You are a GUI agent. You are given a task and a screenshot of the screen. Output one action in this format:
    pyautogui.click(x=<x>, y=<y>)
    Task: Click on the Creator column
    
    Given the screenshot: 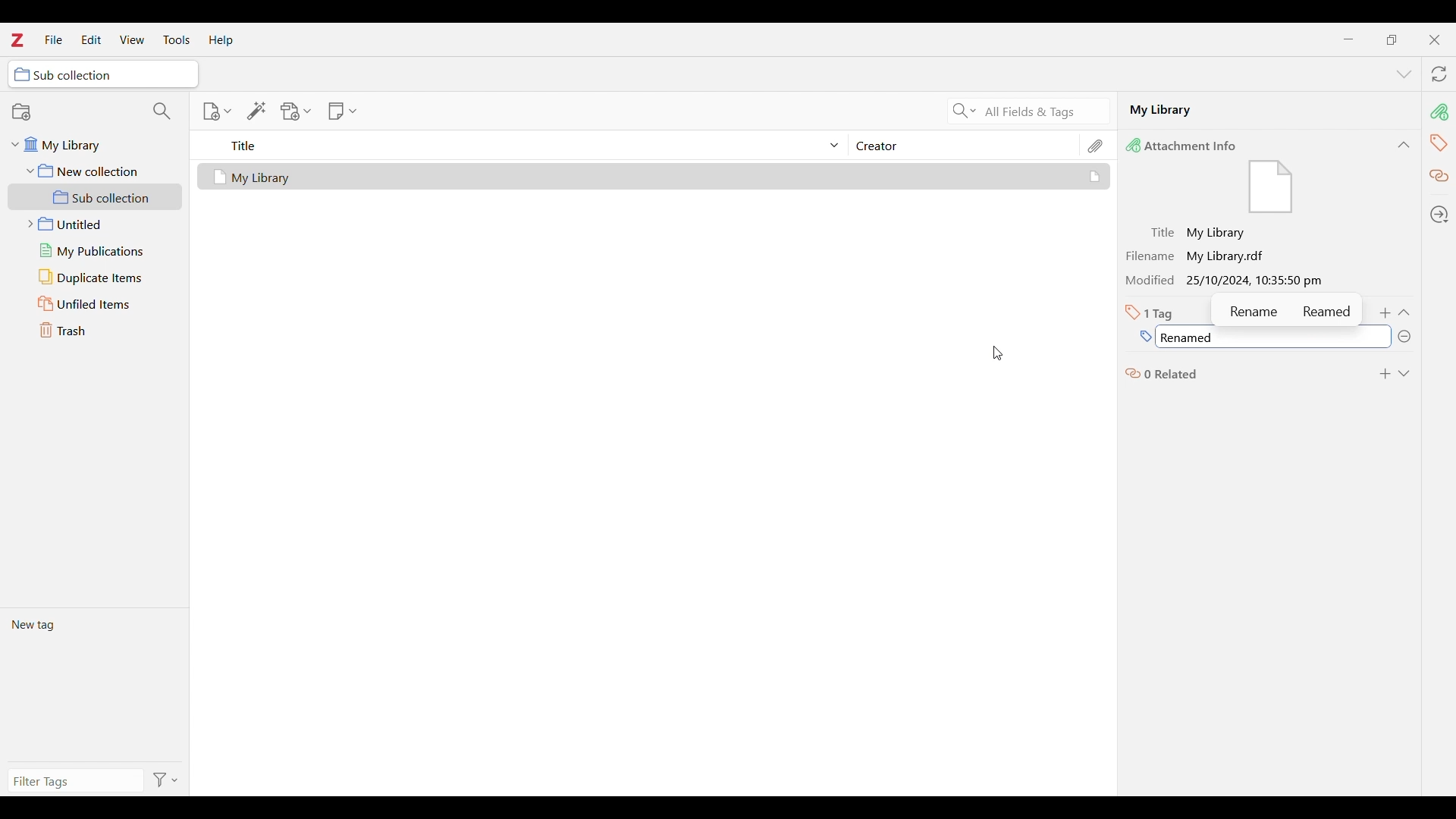 What is the action you would take?
    pyautogui.click(x=963, y=145)
    